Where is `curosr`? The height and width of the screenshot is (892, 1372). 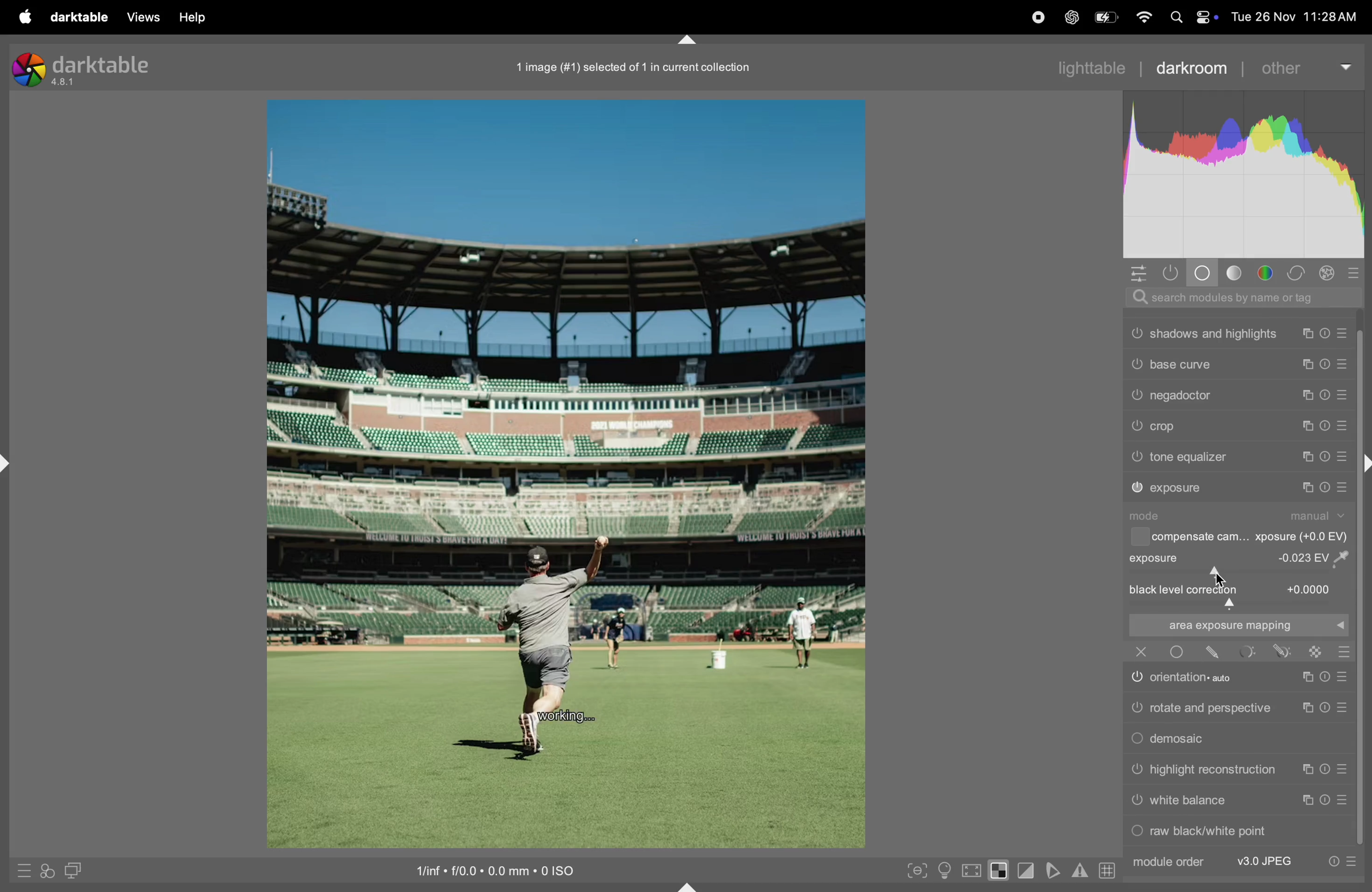 curosr is located at coordinates (1222, 577).